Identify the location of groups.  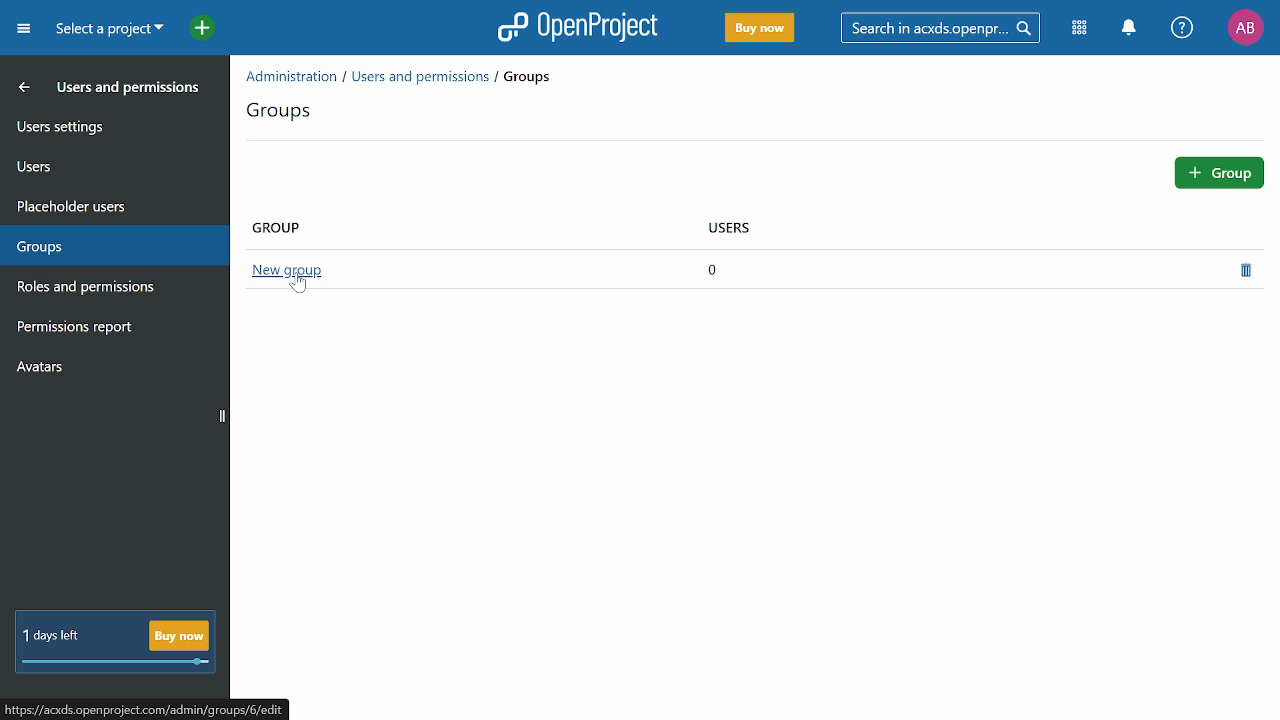
(287, 111).